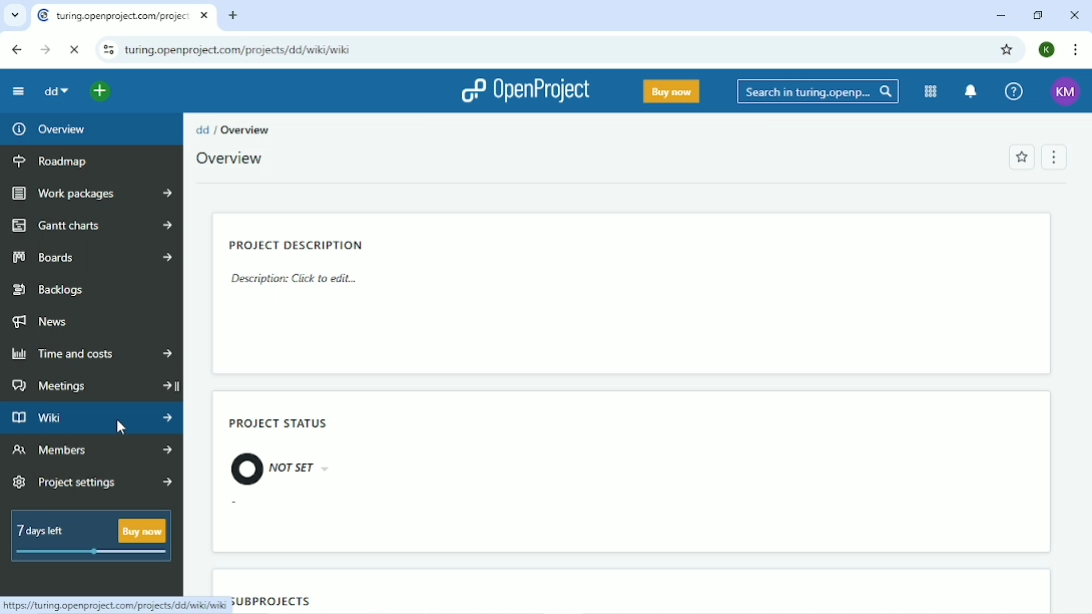  Describe the element at coordinates (55, 93) in the screenshot. I see `dd` at that location.